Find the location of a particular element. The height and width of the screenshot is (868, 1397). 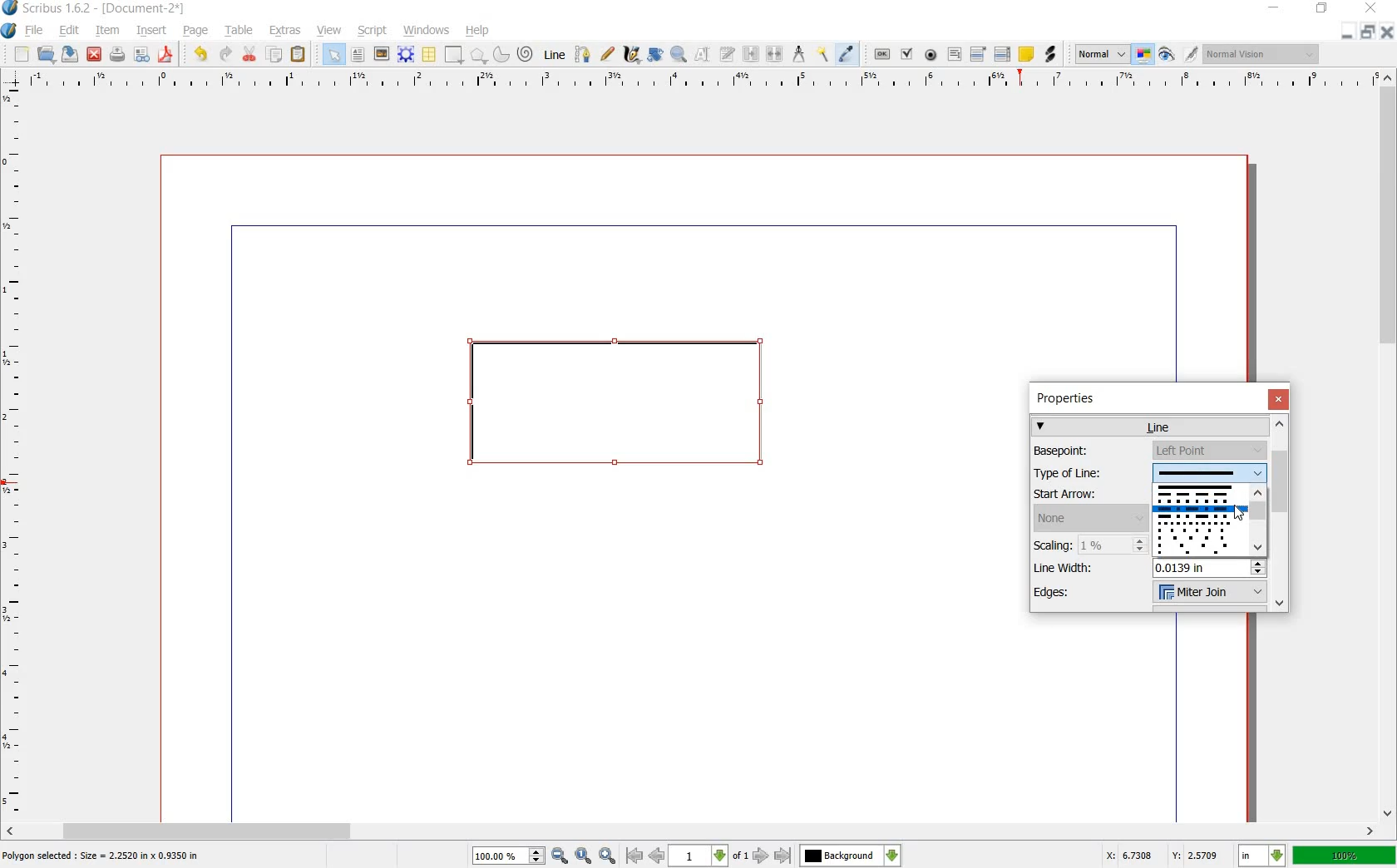

UNDO is located at coordinates (198, 55).